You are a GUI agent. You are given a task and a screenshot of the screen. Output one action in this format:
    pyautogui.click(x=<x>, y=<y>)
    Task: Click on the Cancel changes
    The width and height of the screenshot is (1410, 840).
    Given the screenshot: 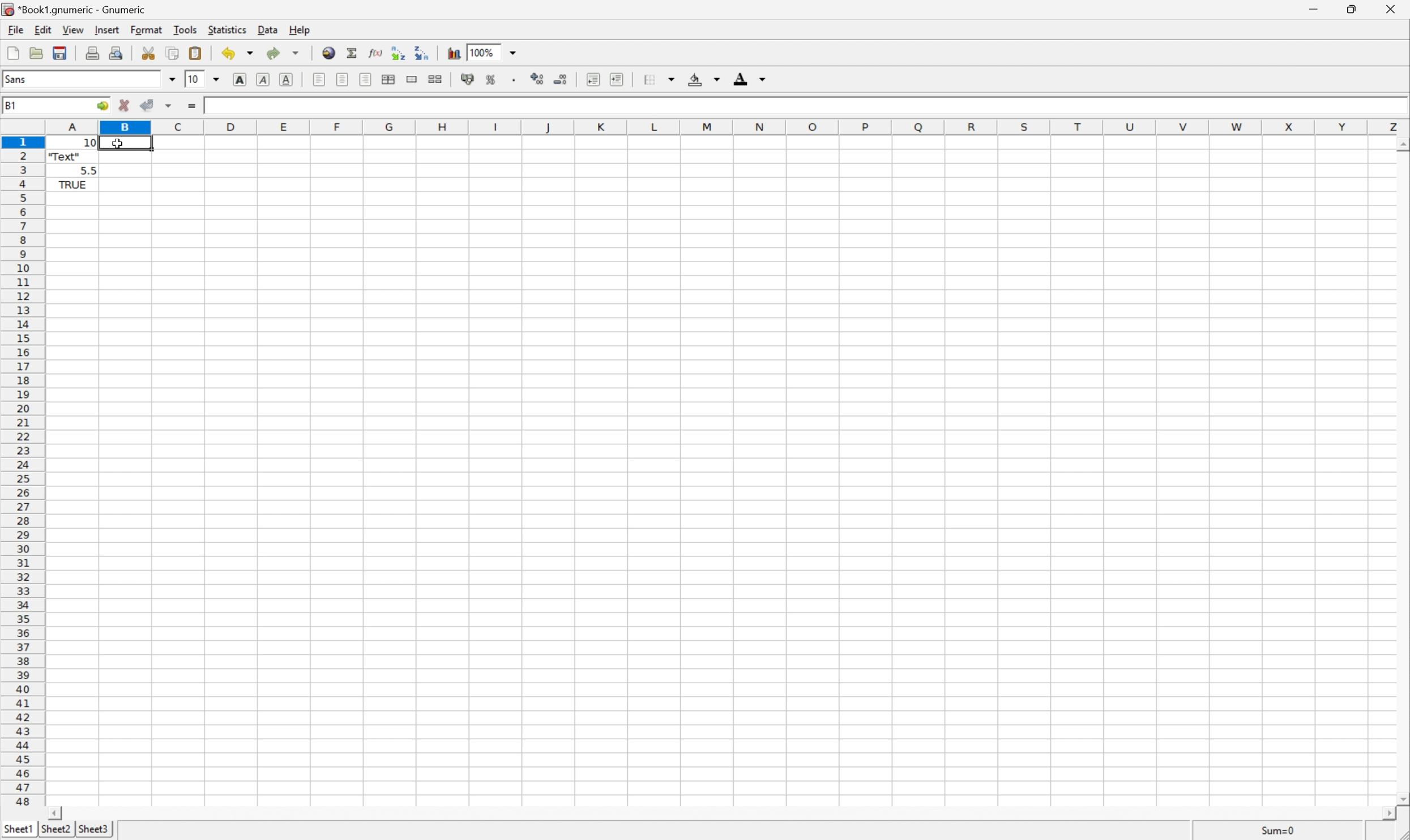 What is the action you would take?
    pyautogui.click(x=125, y=106)
    